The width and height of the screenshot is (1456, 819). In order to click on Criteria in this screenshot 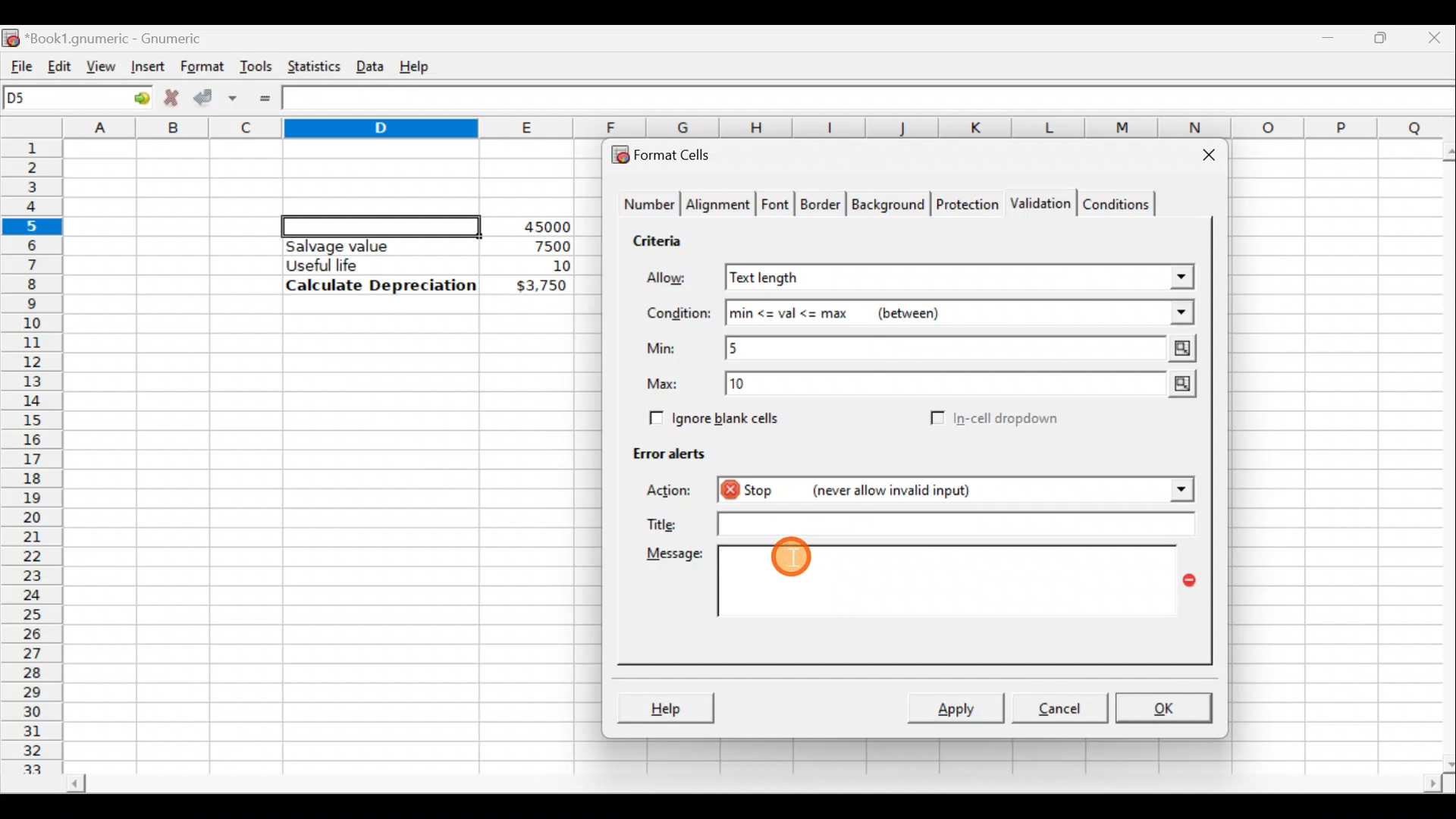, I will do `click(663, 238)`.